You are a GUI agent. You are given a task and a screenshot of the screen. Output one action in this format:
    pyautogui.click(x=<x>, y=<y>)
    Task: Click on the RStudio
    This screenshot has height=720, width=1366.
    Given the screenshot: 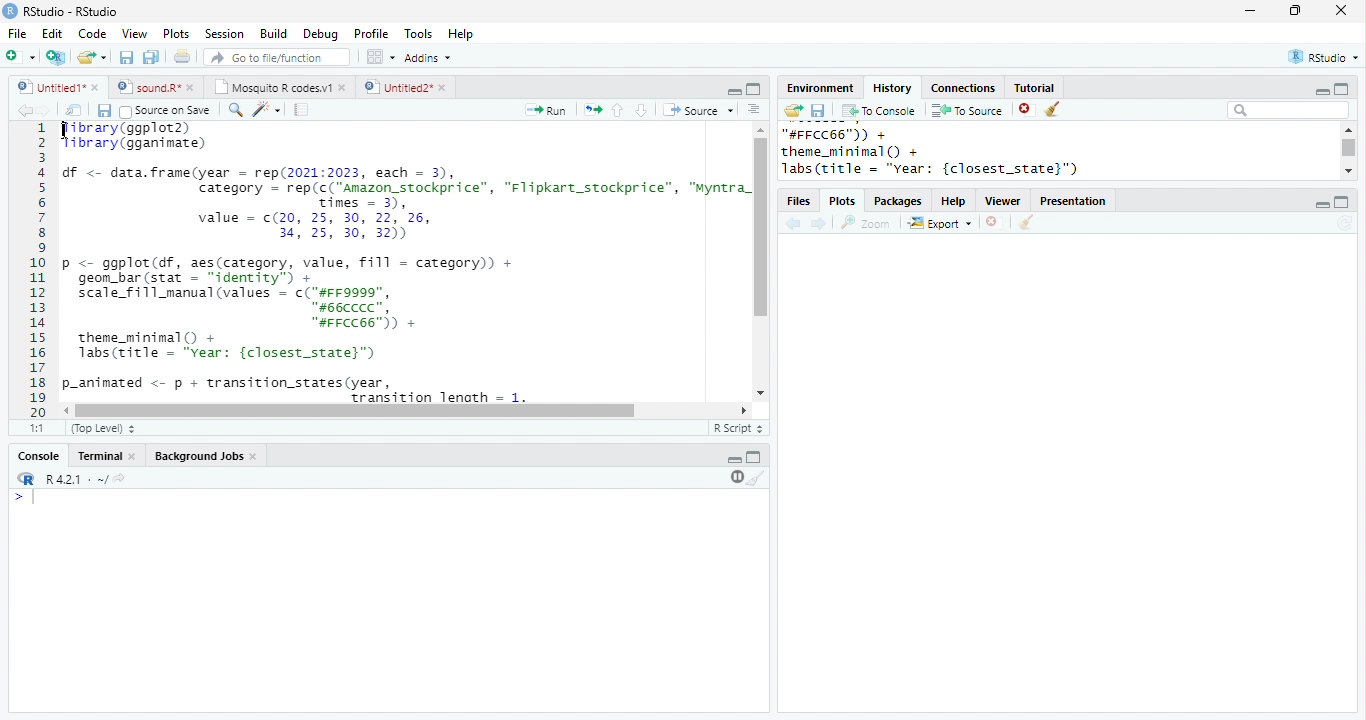 What is the action you would take?
    pyautogui.click(x=1324, y=56)
    